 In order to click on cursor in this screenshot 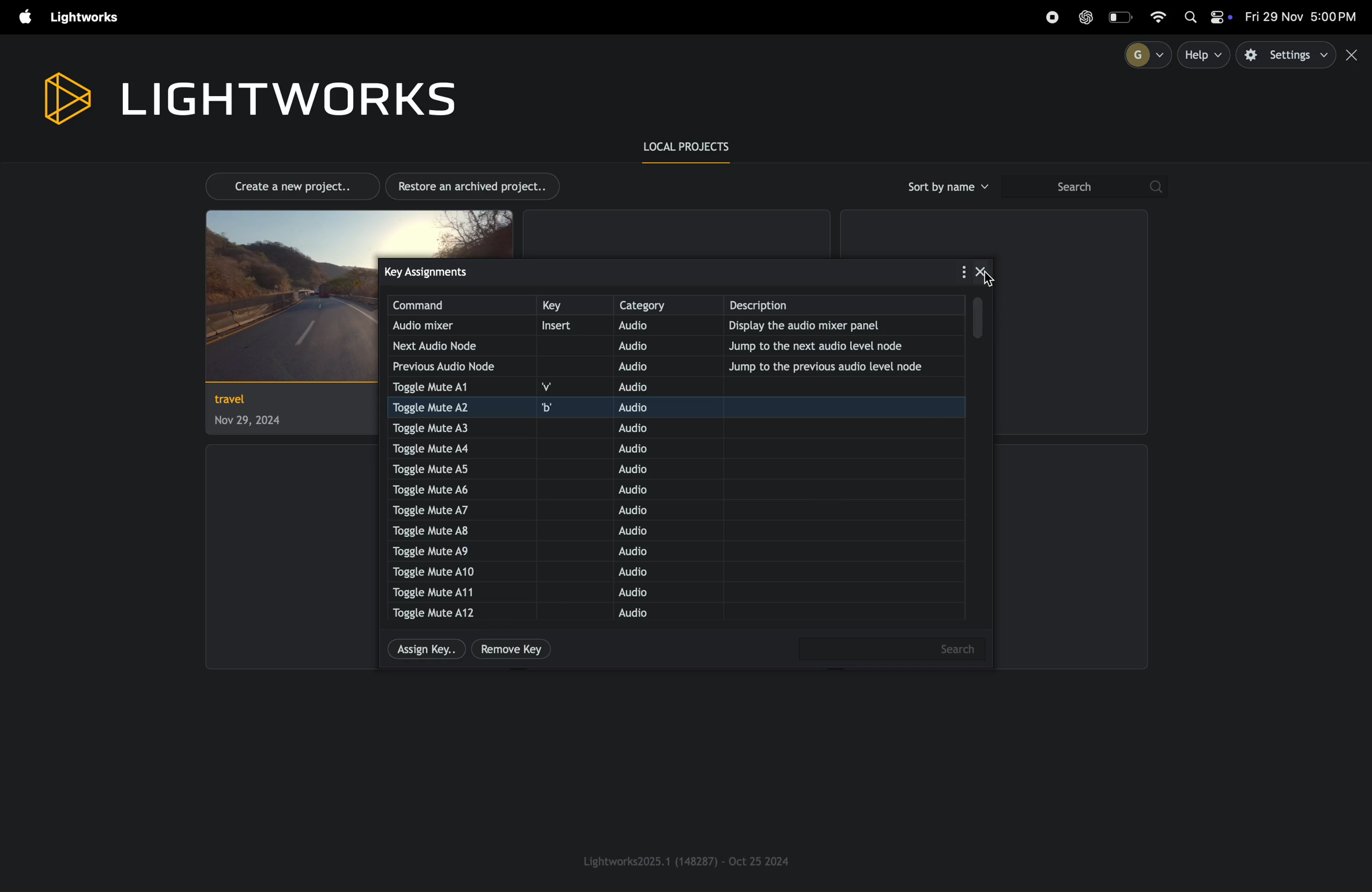, I will do `click(989, 281)`.